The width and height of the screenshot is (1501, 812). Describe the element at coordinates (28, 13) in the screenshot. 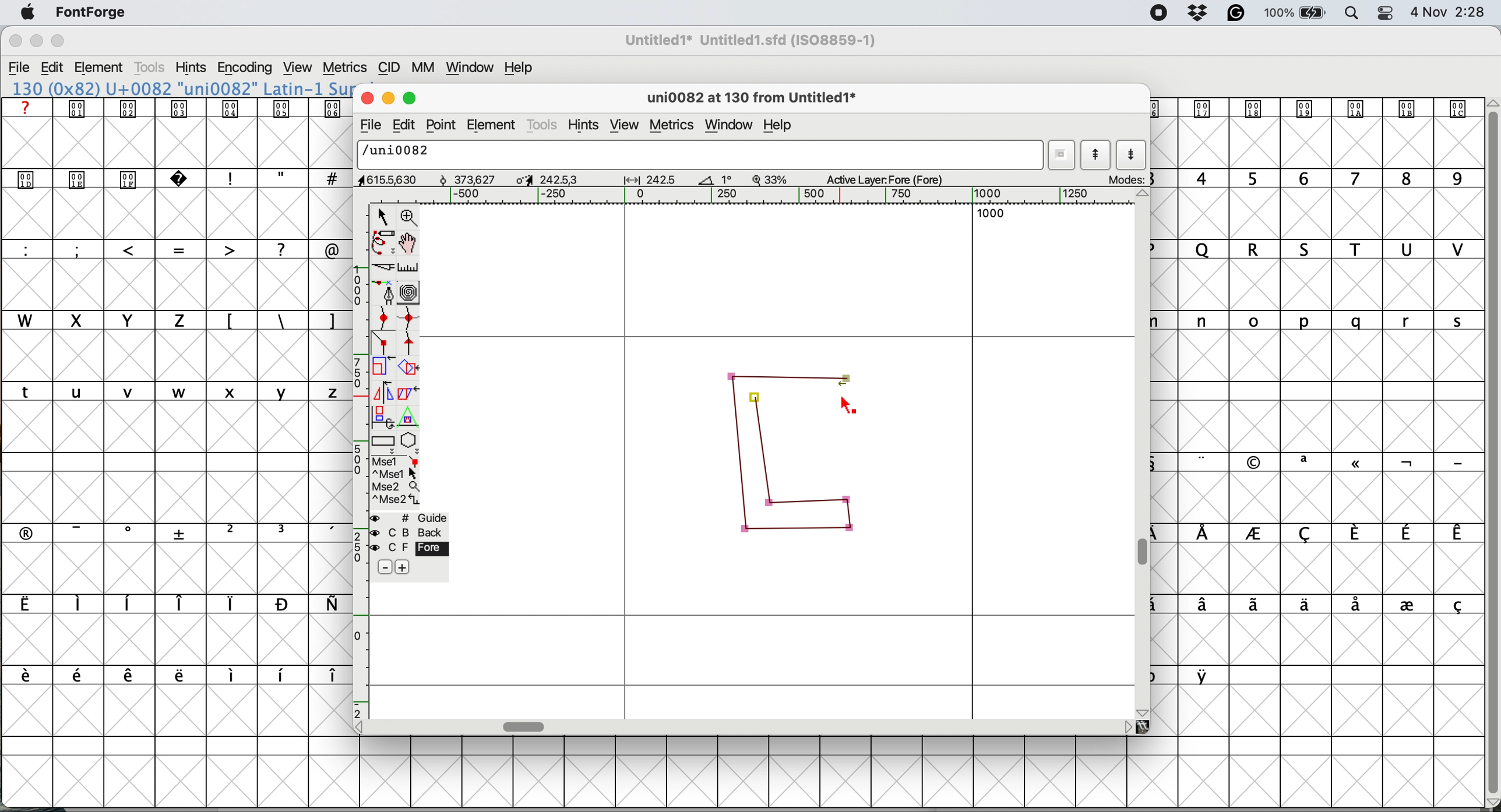

I see `system logo` at that location.